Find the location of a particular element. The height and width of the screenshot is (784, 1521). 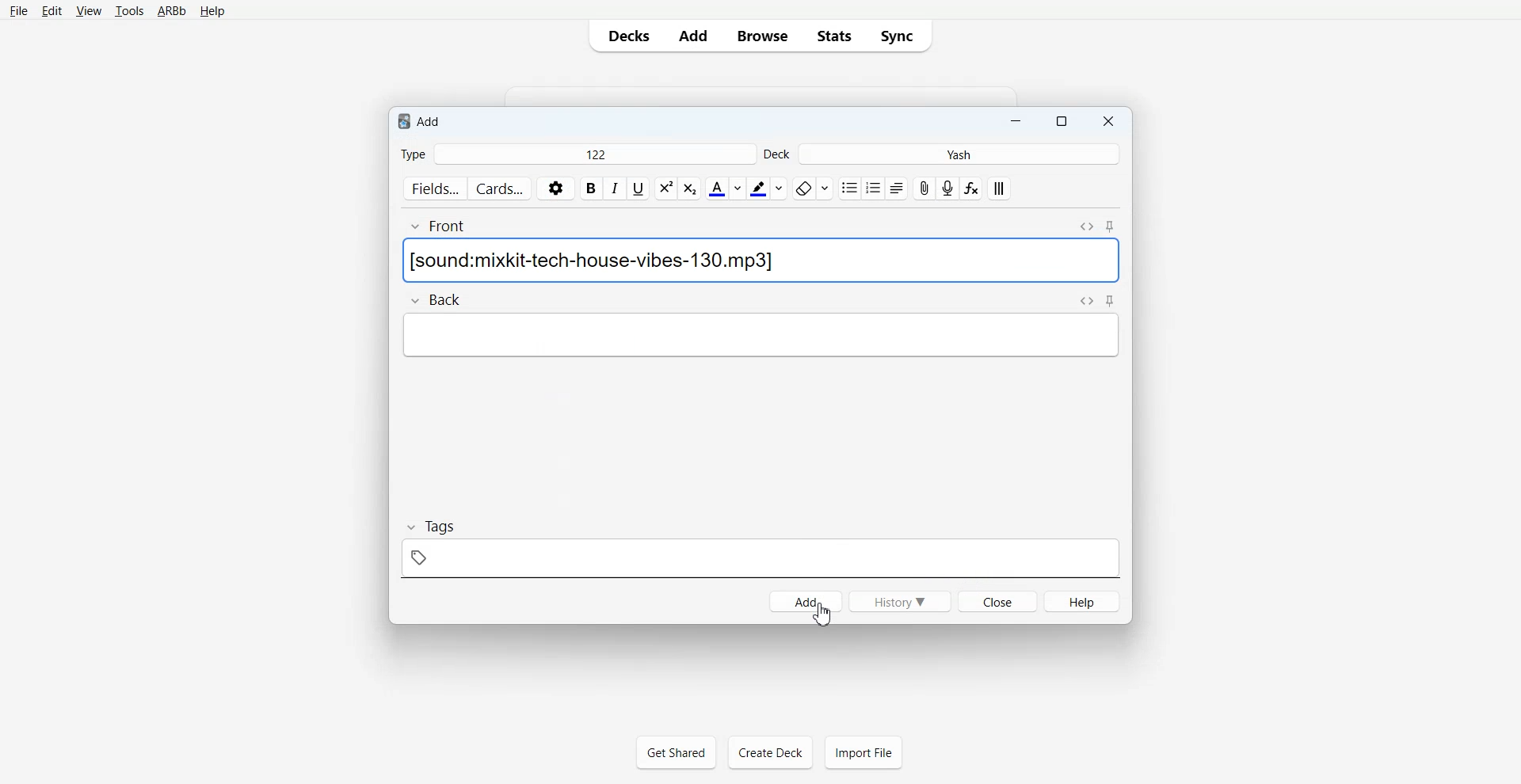

View is located at coordinates (87, 10).